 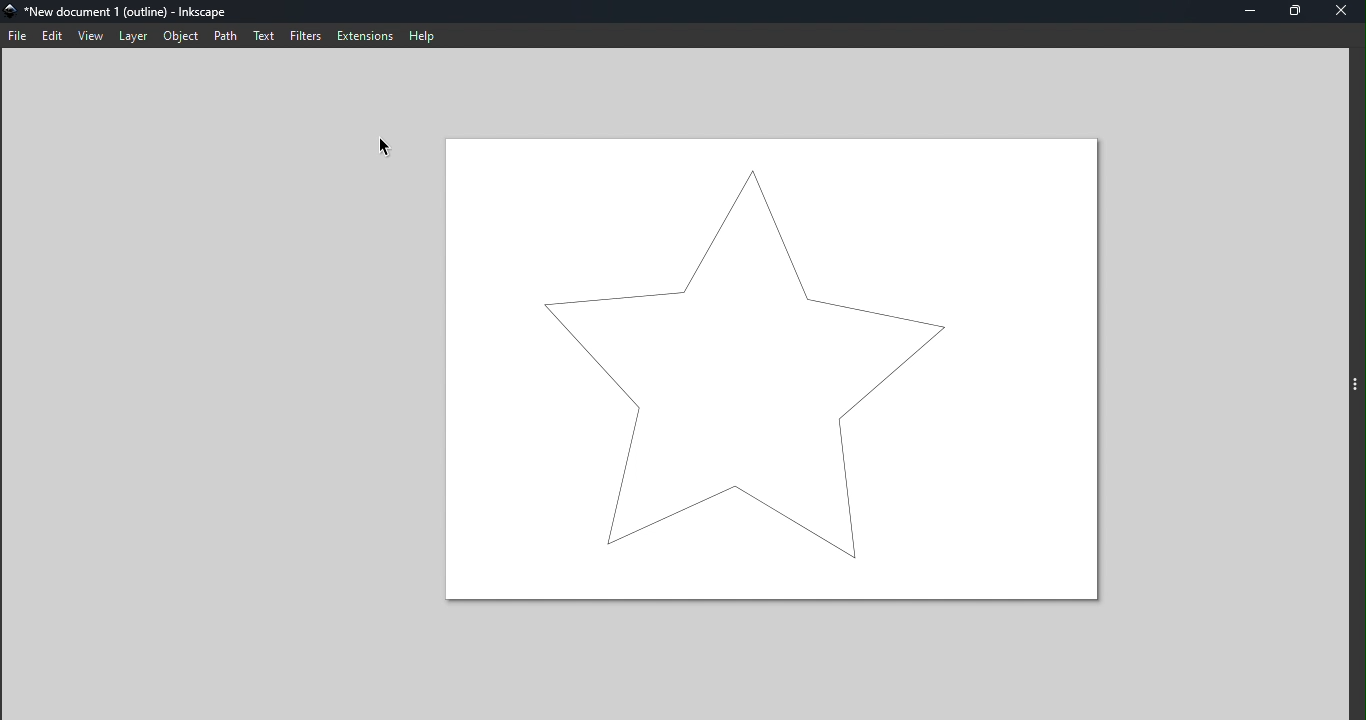 What do you see at coordinates (224, 33) in the screenshot?
I see `Path` at bounding box center [224, 33].